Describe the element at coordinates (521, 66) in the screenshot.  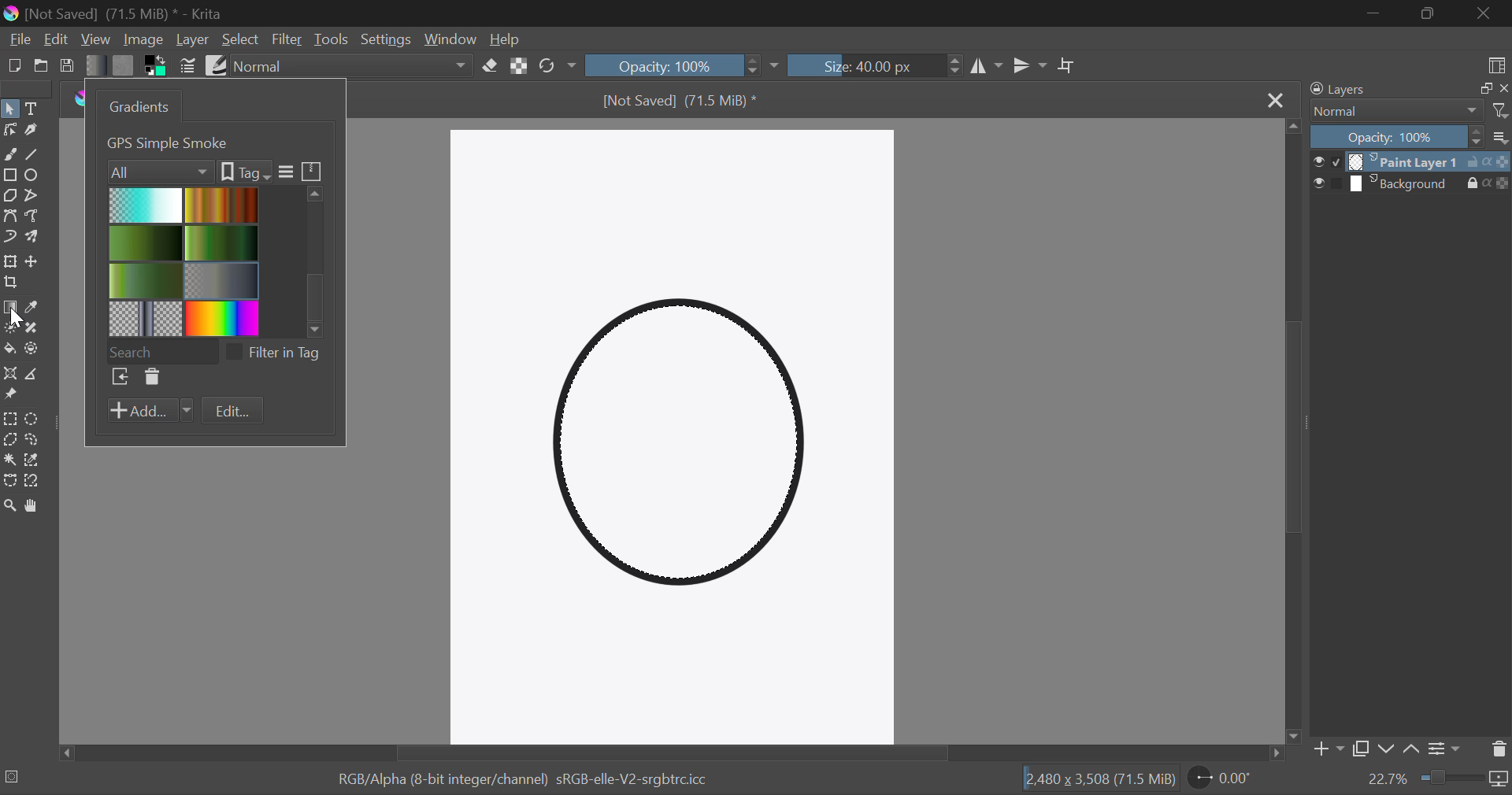
I see `Lock Alpha` at that location.